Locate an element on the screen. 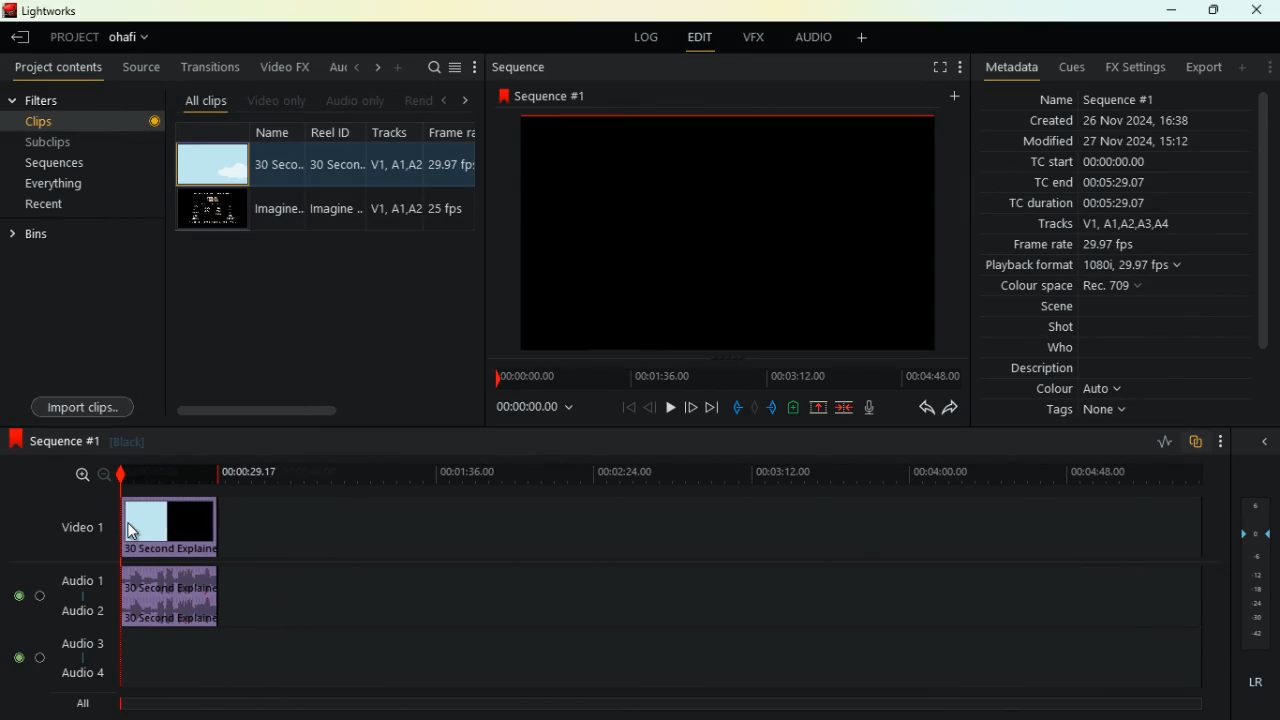  sequence is located at coordinates (51, 441).